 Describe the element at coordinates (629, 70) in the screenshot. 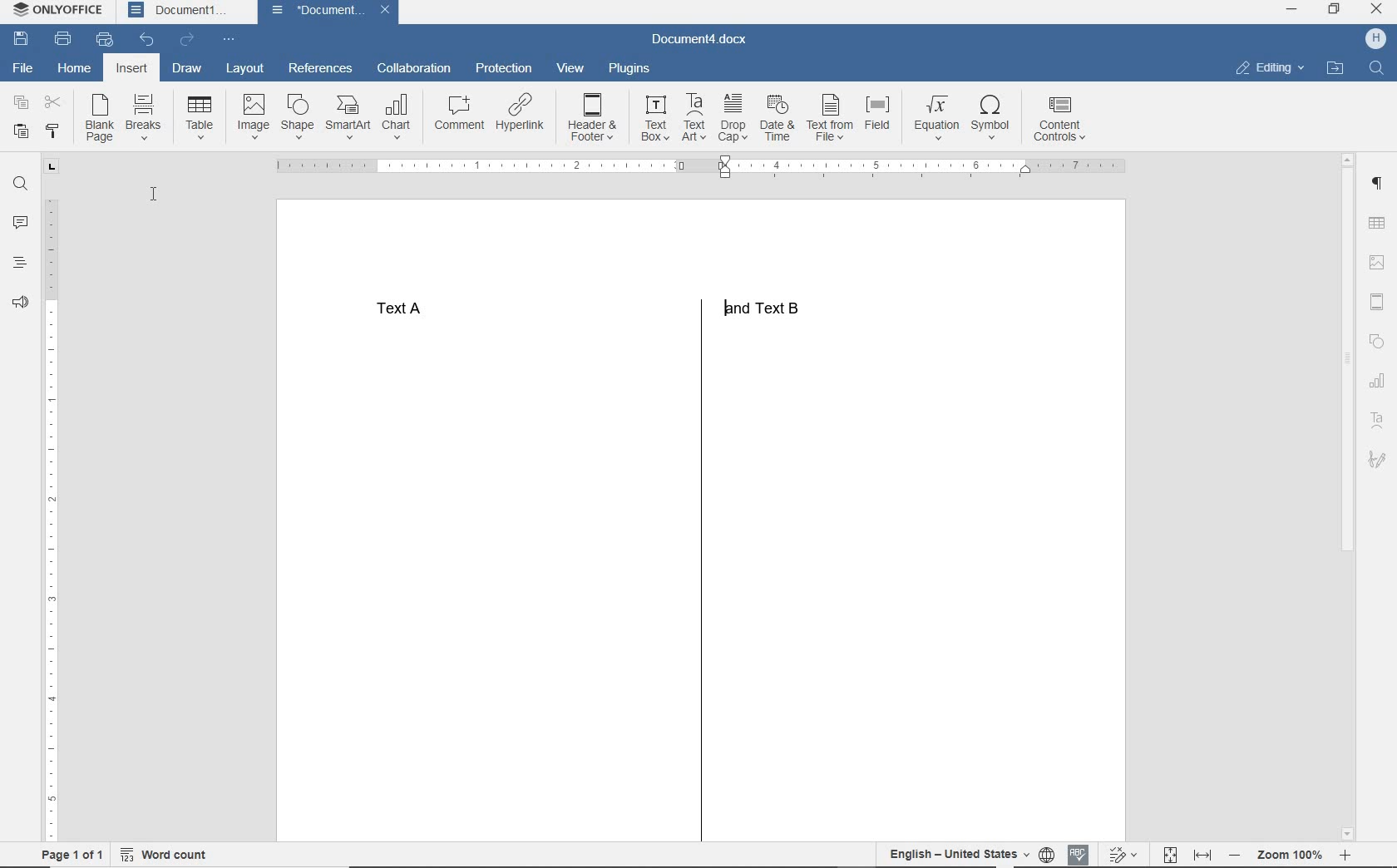

I see `PLUGINS` at that location.